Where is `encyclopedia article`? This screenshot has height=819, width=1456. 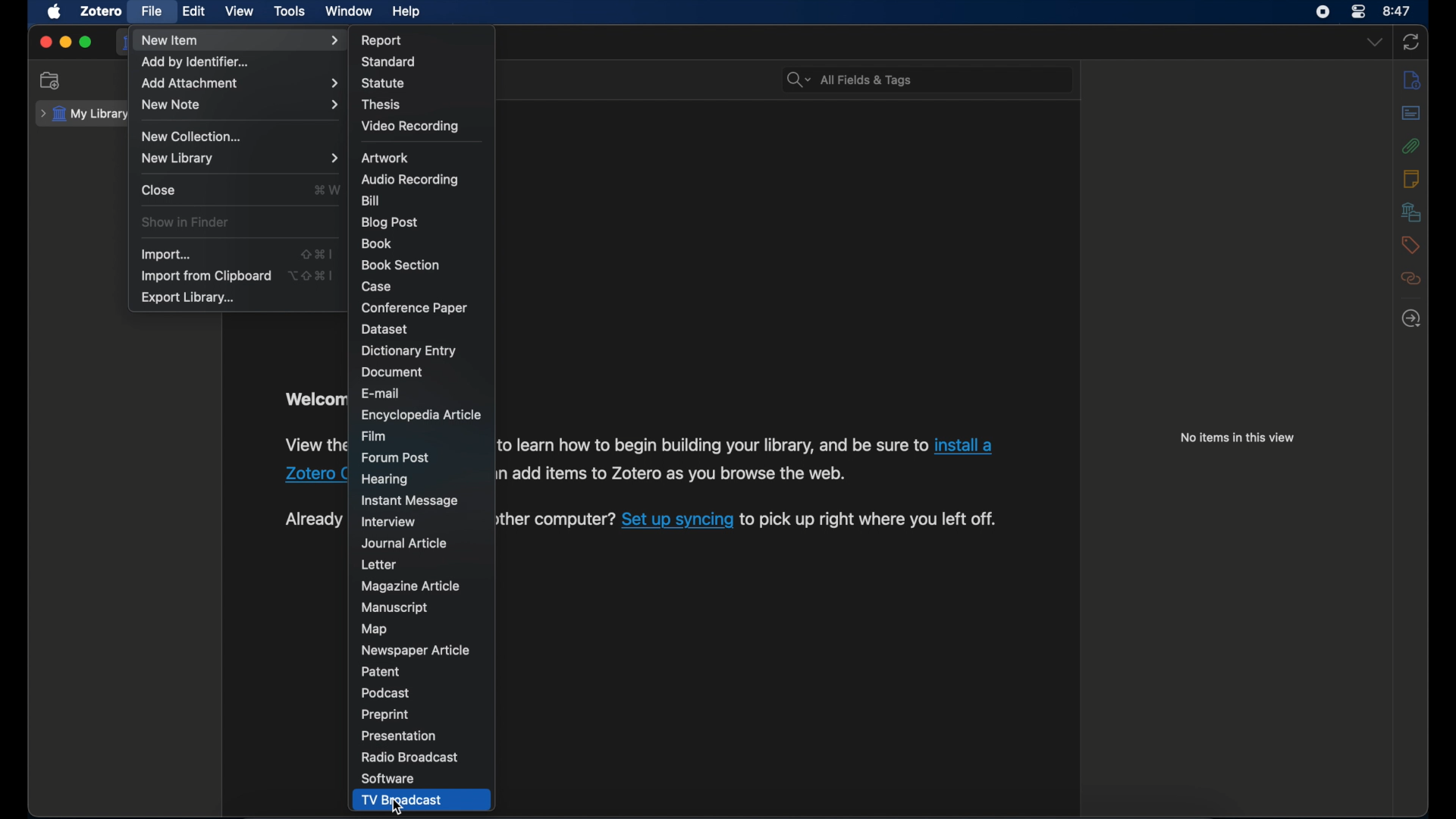
encyclopedia article is located at coordinates (420, 414).